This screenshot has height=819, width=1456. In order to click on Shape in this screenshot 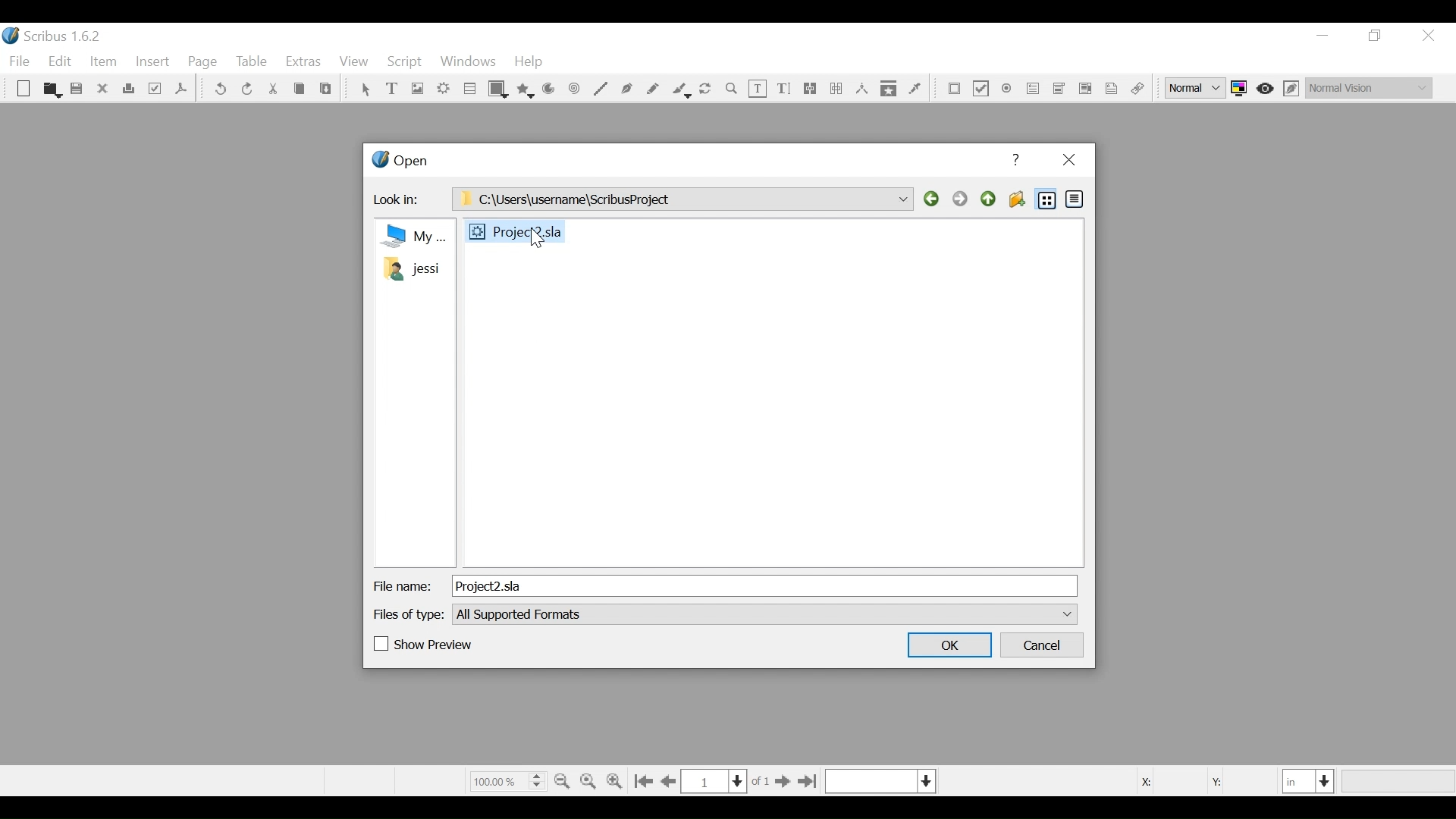, I will do `click(499, 89)`.